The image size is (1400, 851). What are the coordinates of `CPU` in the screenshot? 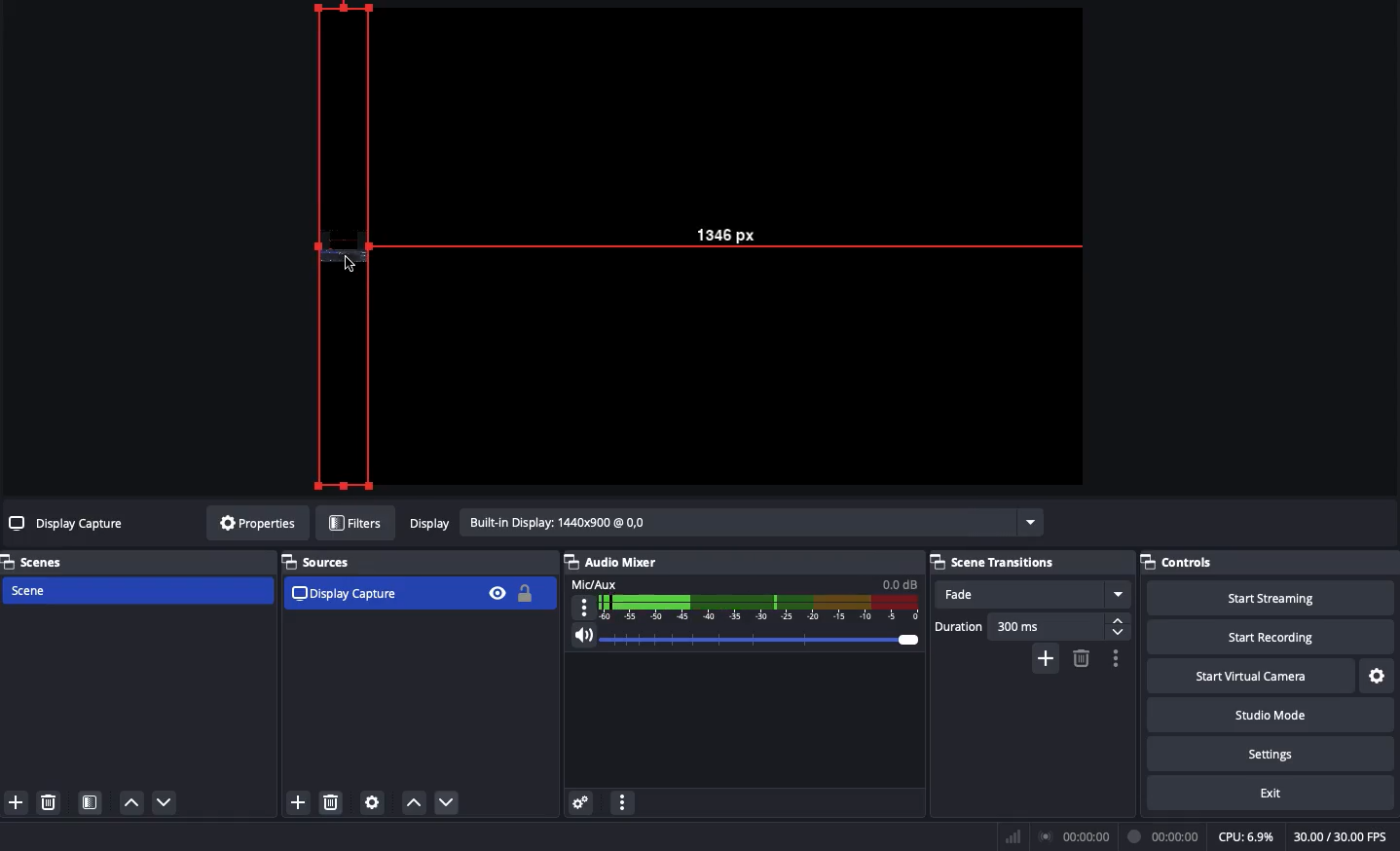 It's located at (1245, 837).